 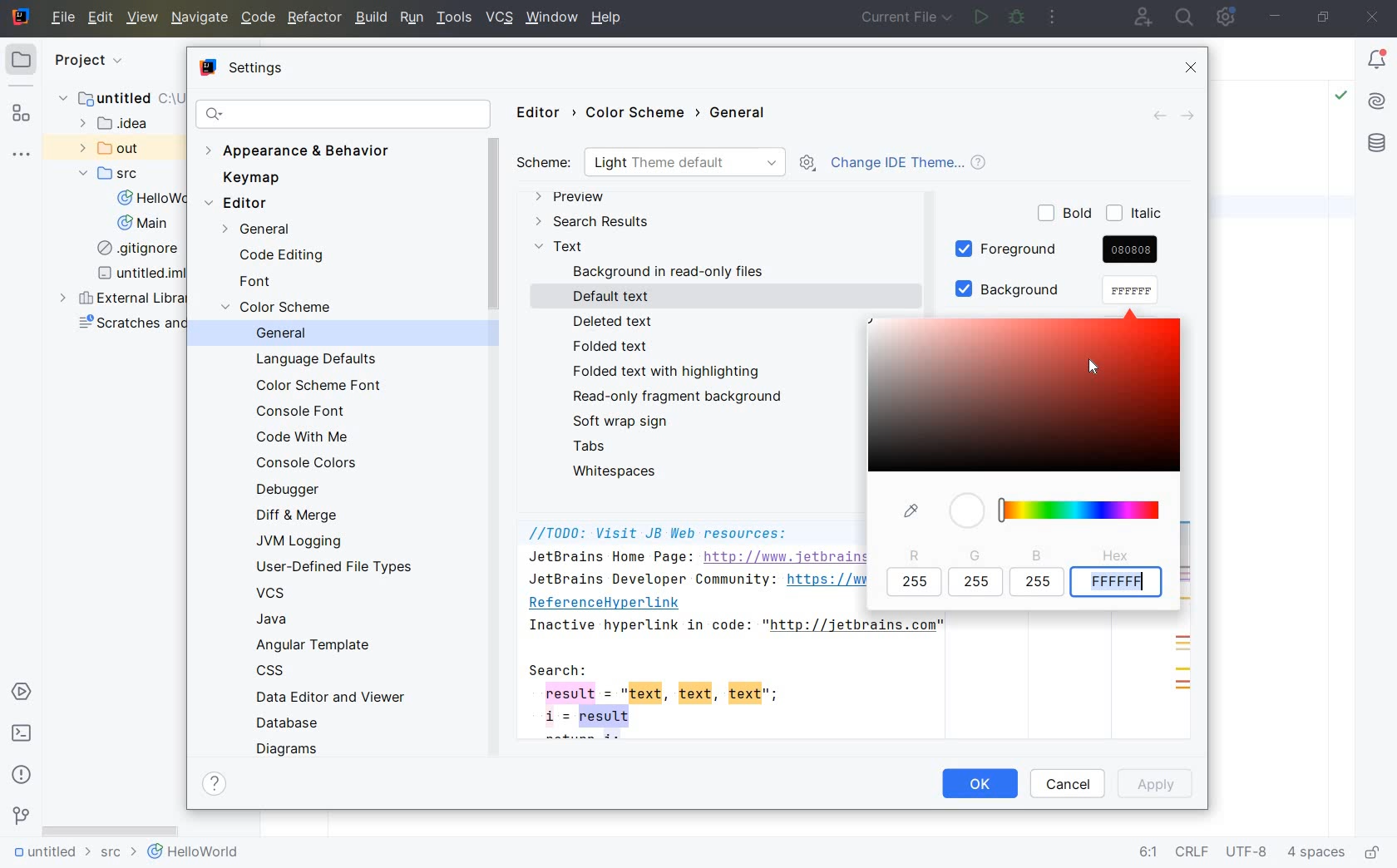 I want to click on system name, so click(x=20, y=17).